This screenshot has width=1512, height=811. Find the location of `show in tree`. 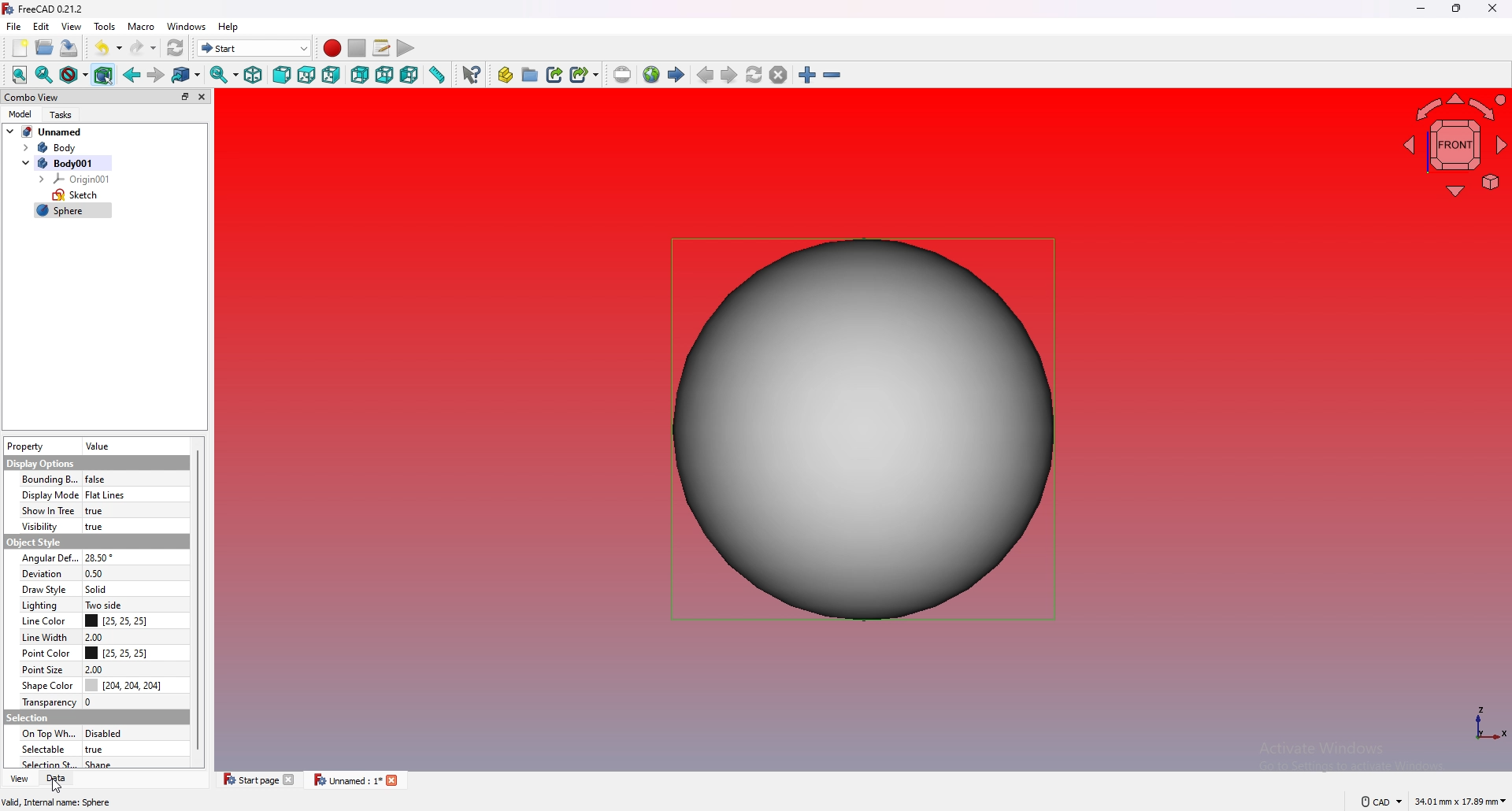

show in tree is located at coordinates (99, 511).